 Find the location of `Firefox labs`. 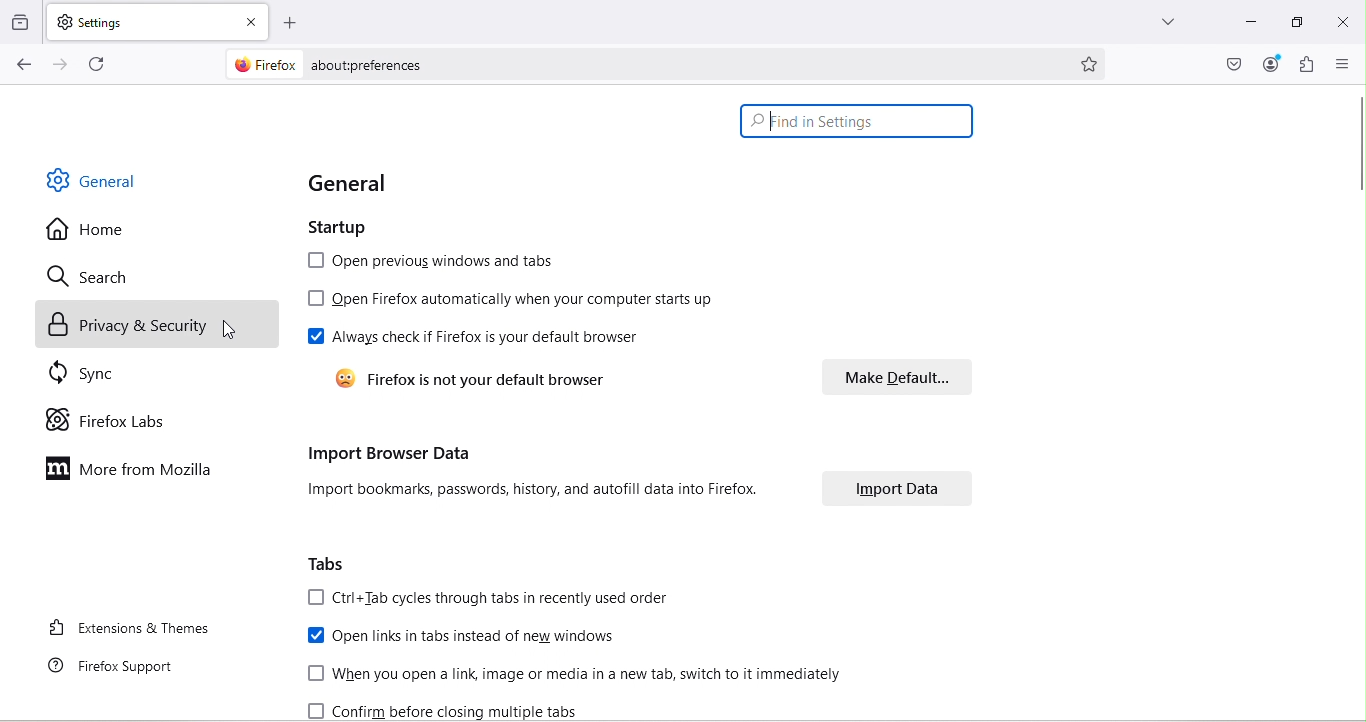

Firefox labs is located at coordinates (107, 420).